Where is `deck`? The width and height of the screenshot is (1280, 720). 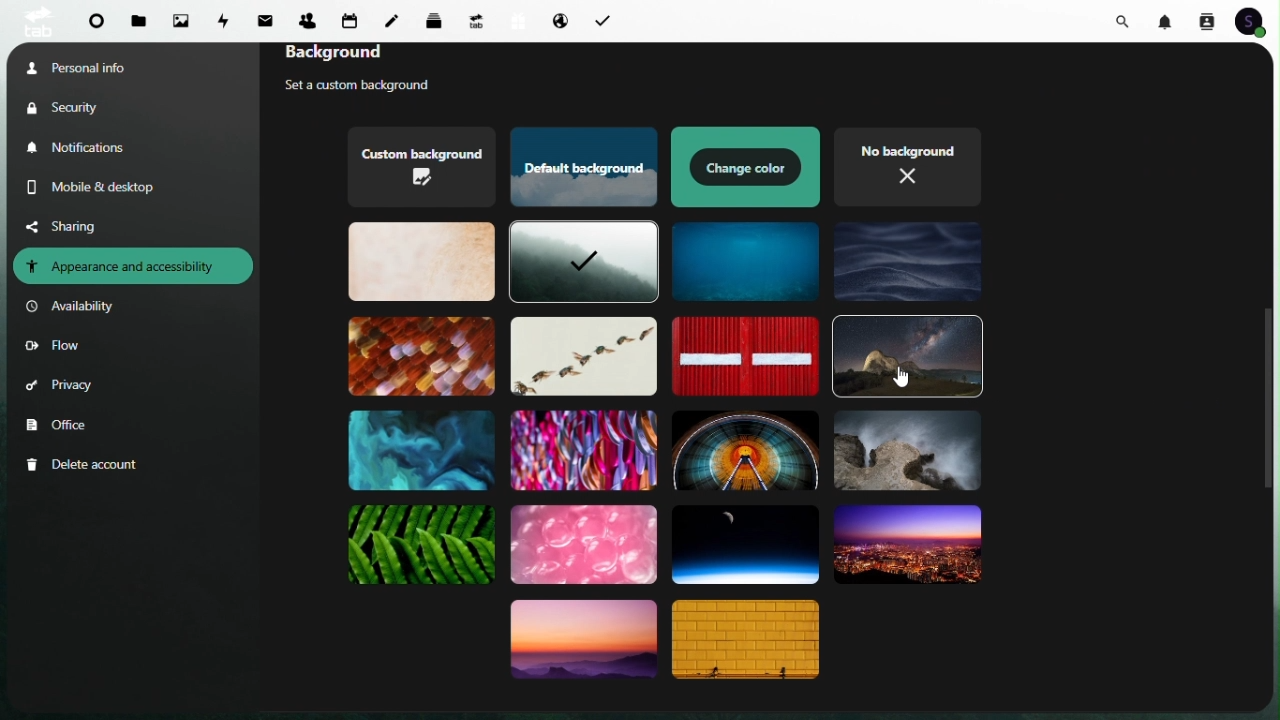 deck is located at coordinates (438, 19).